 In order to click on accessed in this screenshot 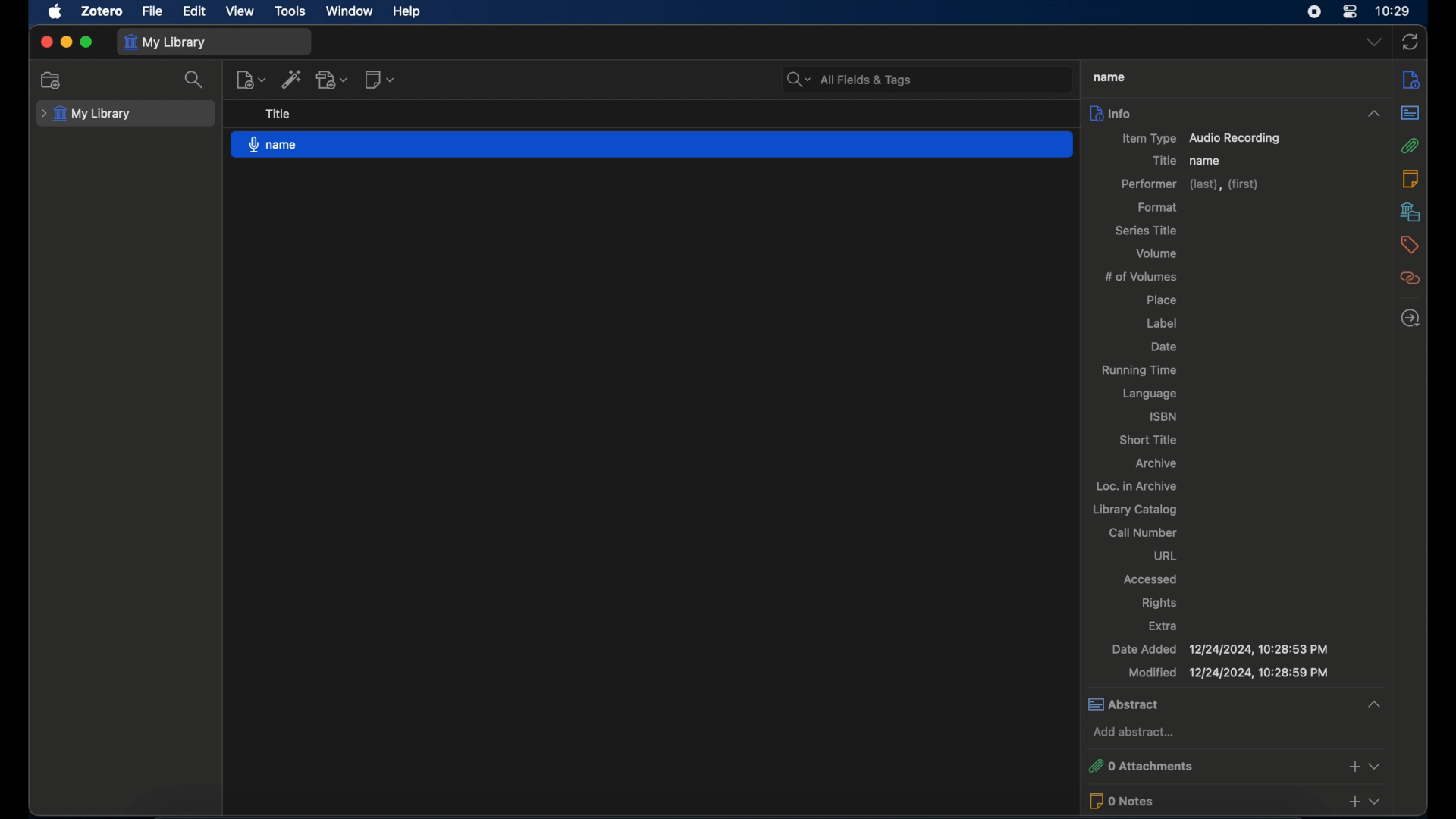, I will do `click(1150, 579)`.